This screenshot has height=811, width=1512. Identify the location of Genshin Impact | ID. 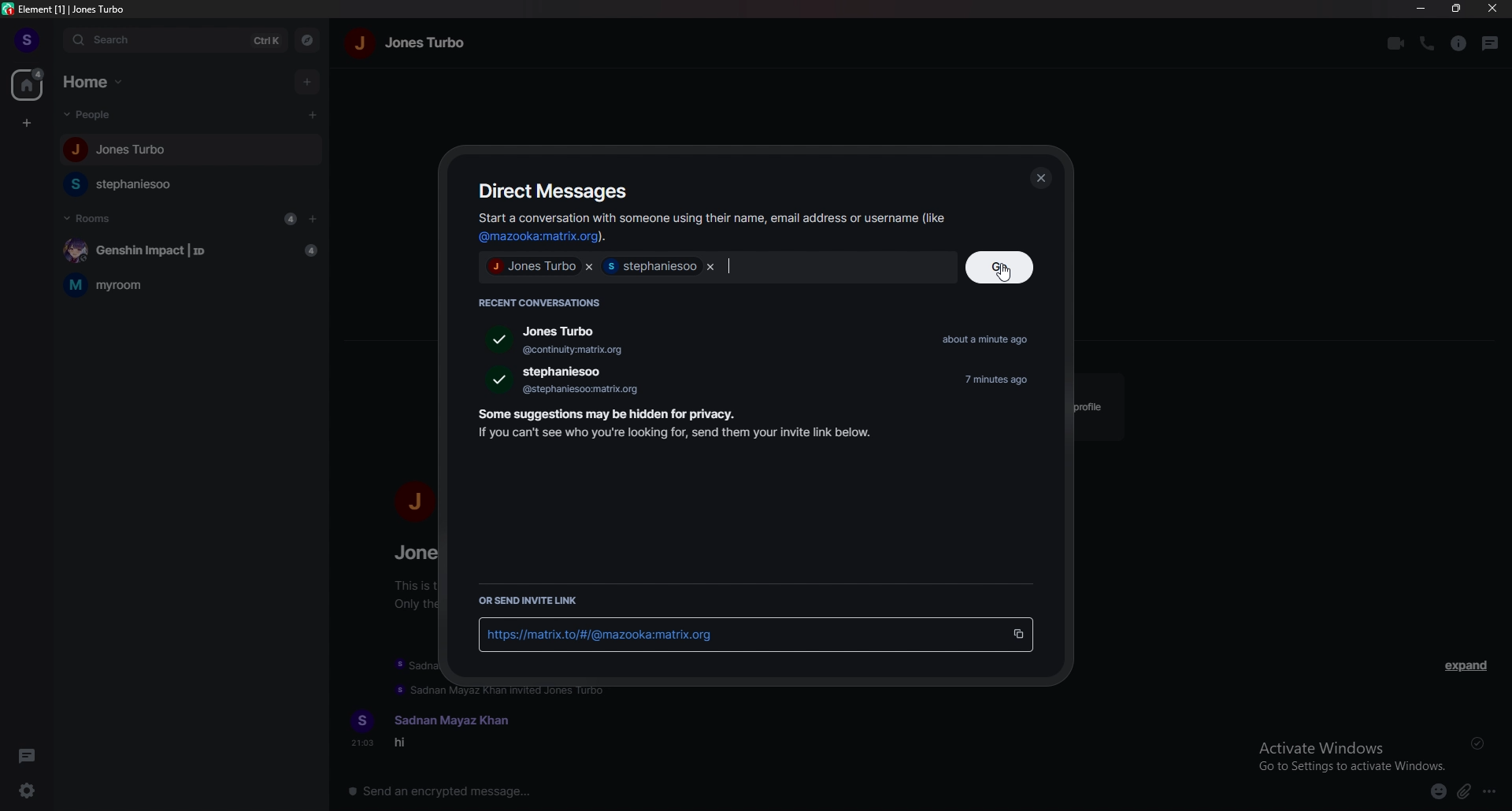
(187, 249).